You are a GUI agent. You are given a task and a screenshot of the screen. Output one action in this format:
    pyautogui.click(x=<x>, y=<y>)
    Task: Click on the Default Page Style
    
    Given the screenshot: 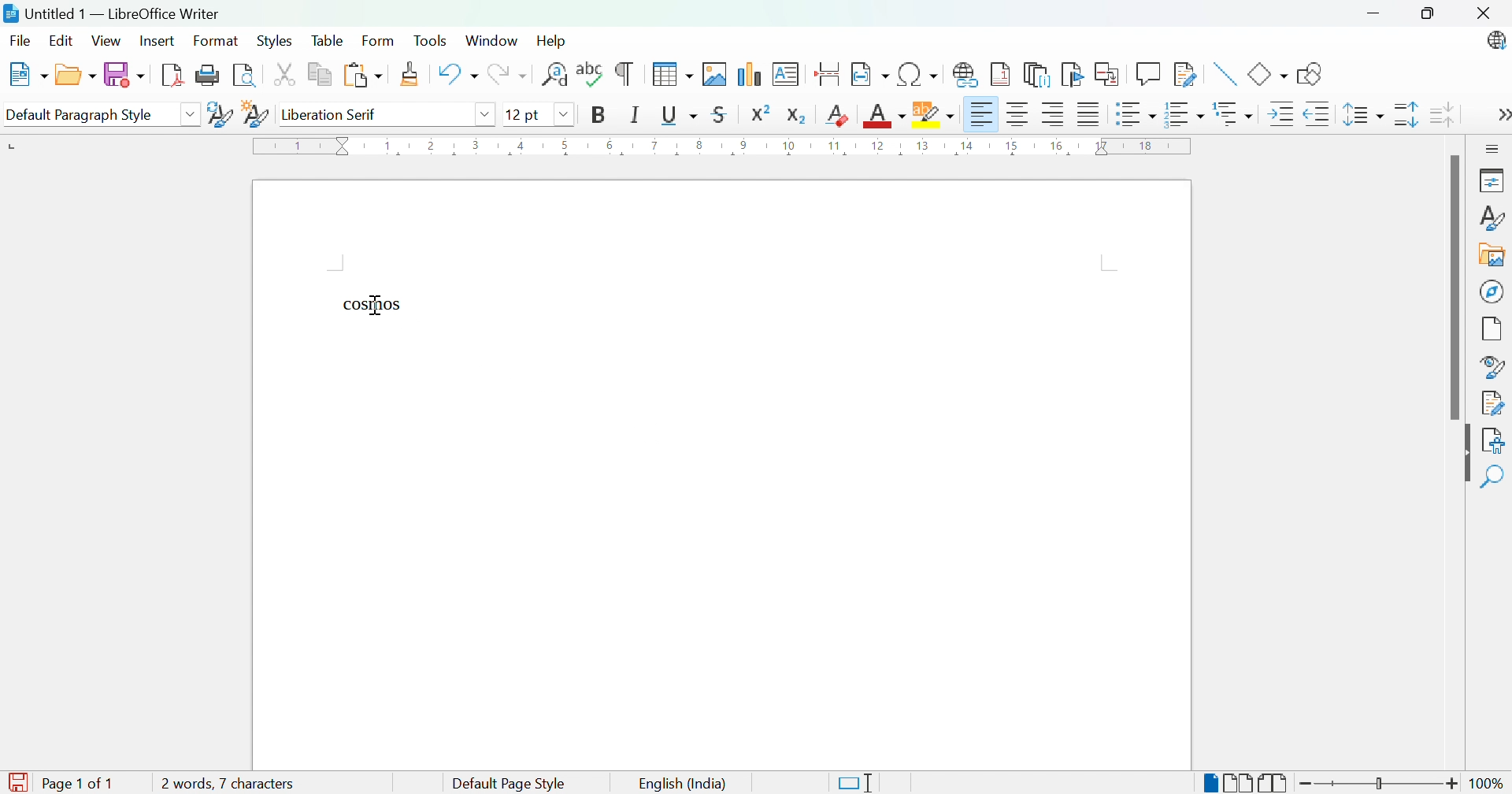 What is the action you would take?
    pyautogui.click(x=513, y=784)
    